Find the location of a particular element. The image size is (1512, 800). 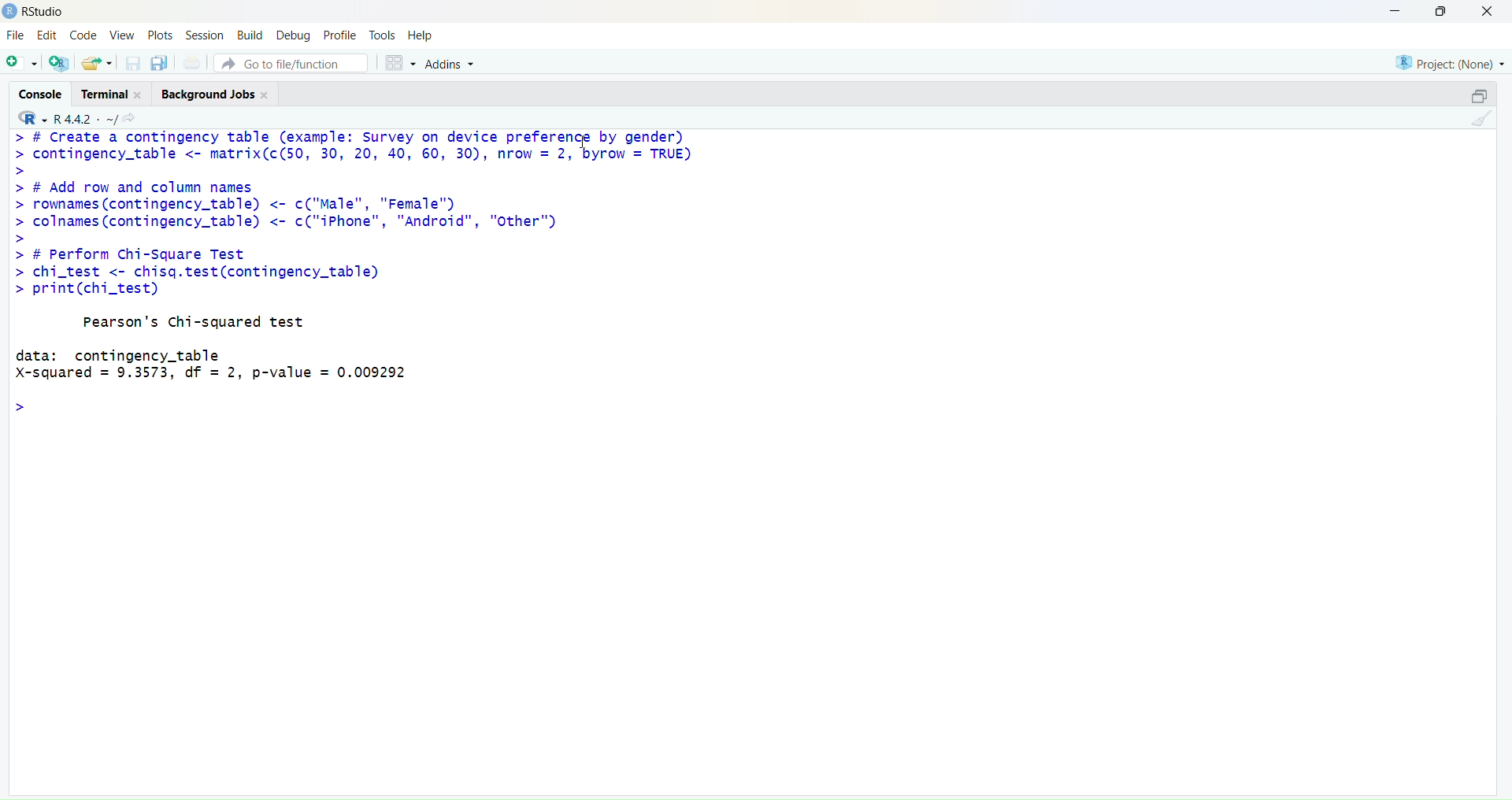

Plots. is located at coordinates (161, 35).